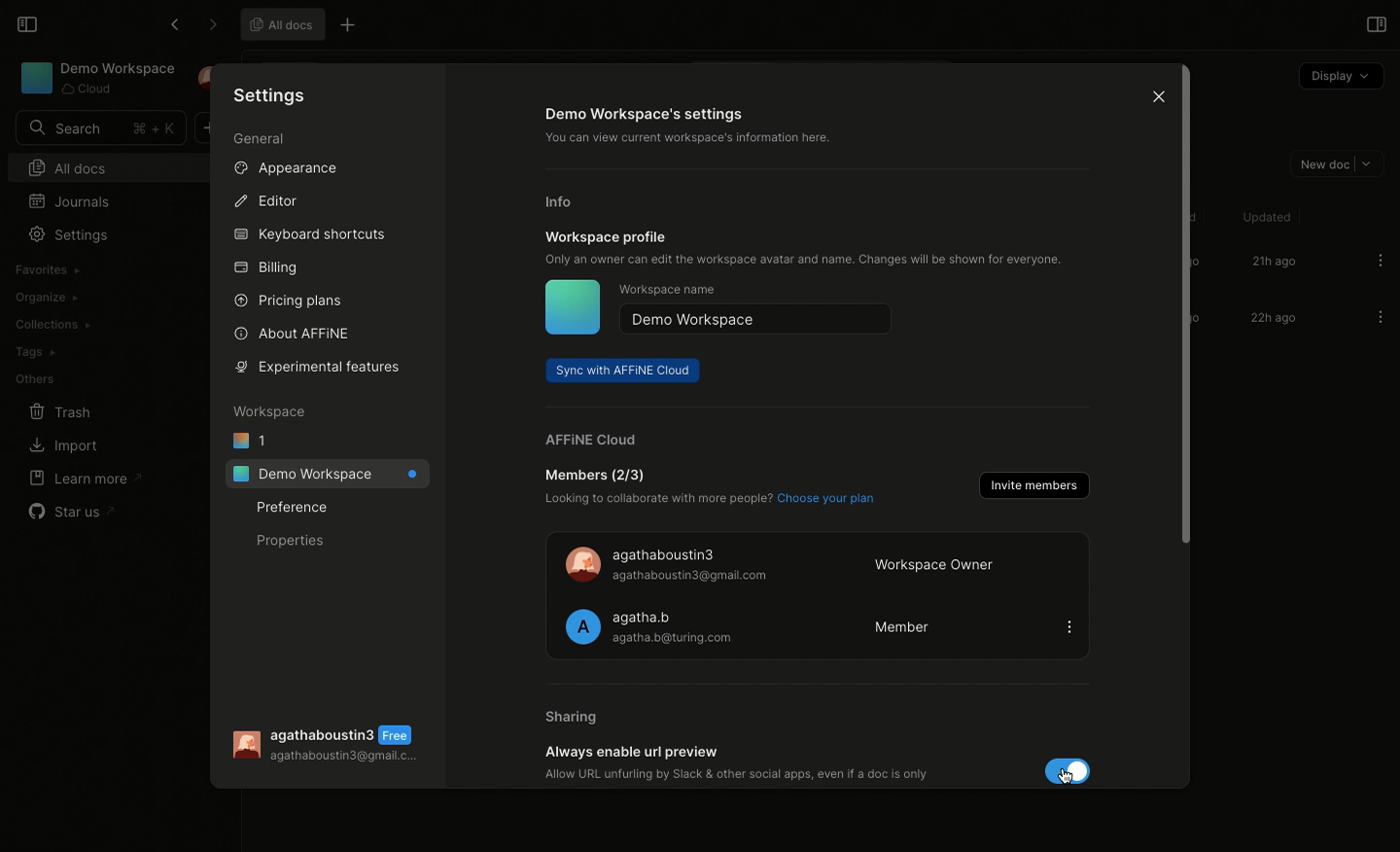 The width and height of the screenshot is (1400, 852). What do you see at coordinates (174, 24) in the screenshot?
I see `Back` at bounding box center [174, 24].